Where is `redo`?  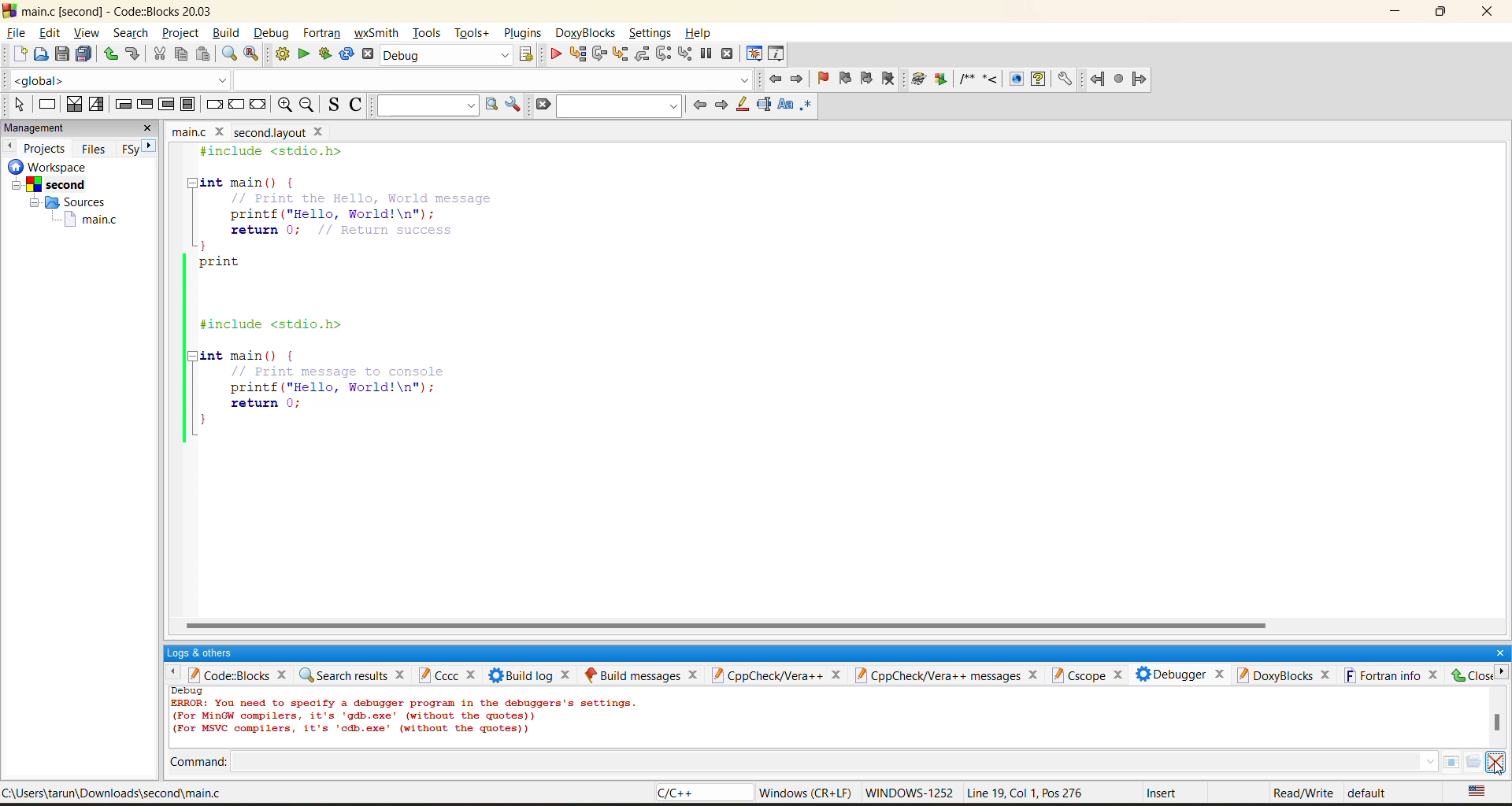 redo is located at coordinates (132, 54).